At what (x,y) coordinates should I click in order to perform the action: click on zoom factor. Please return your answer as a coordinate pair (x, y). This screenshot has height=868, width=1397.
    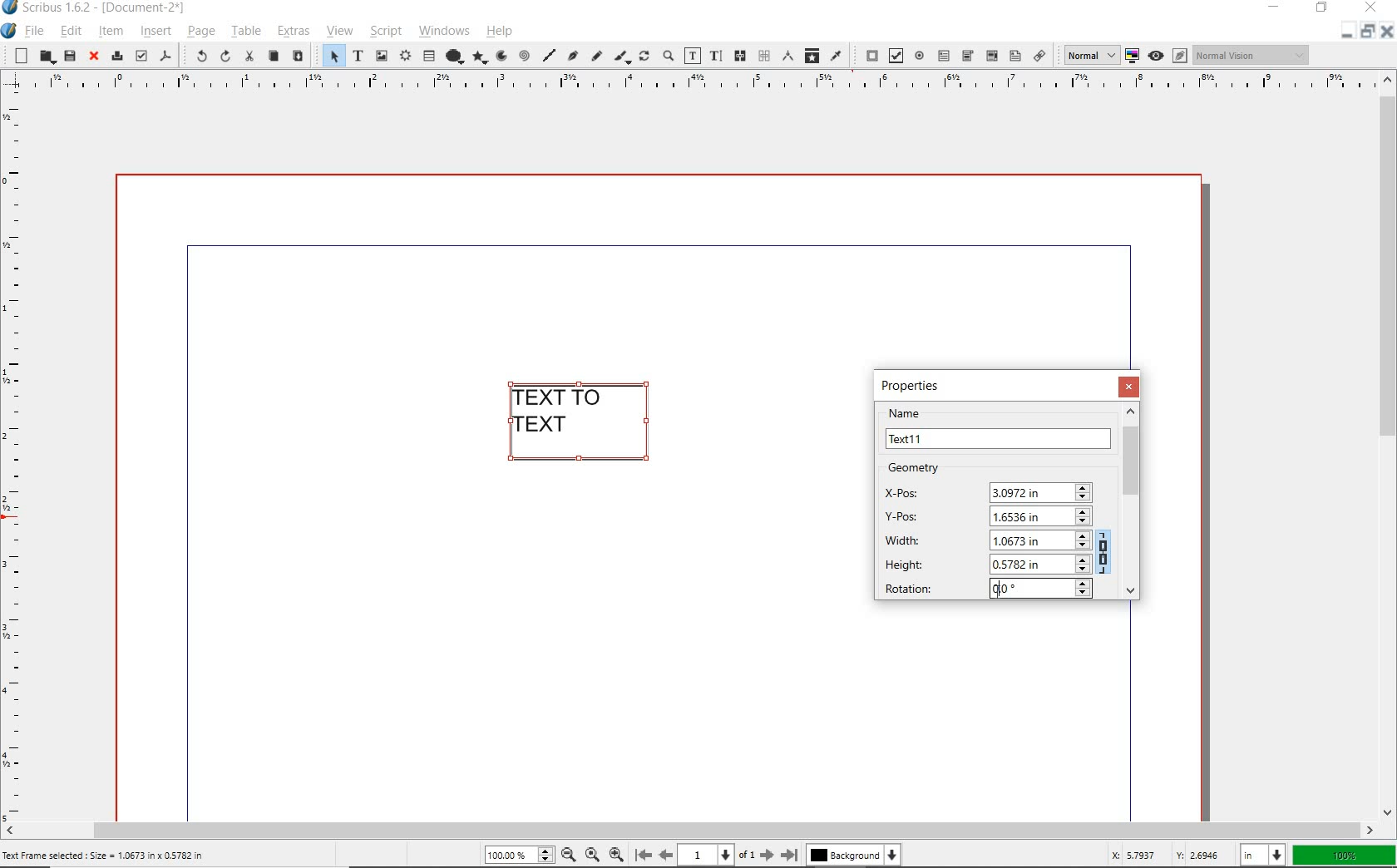
    Looking at the image, I should click on (1345, 856).